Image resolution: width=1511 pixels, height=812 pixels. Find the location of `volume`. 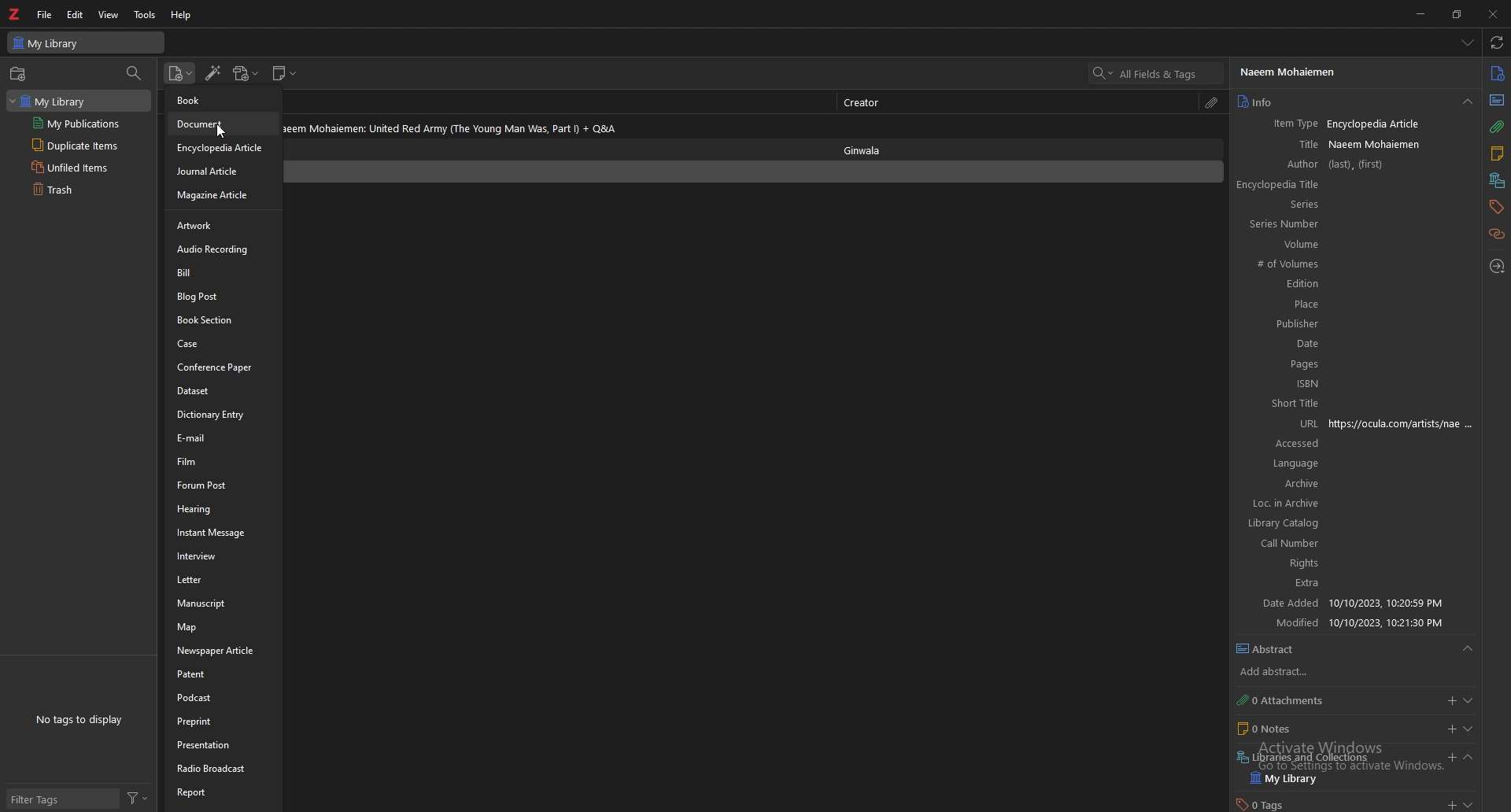

volume is located at coordinates (1278, 245).